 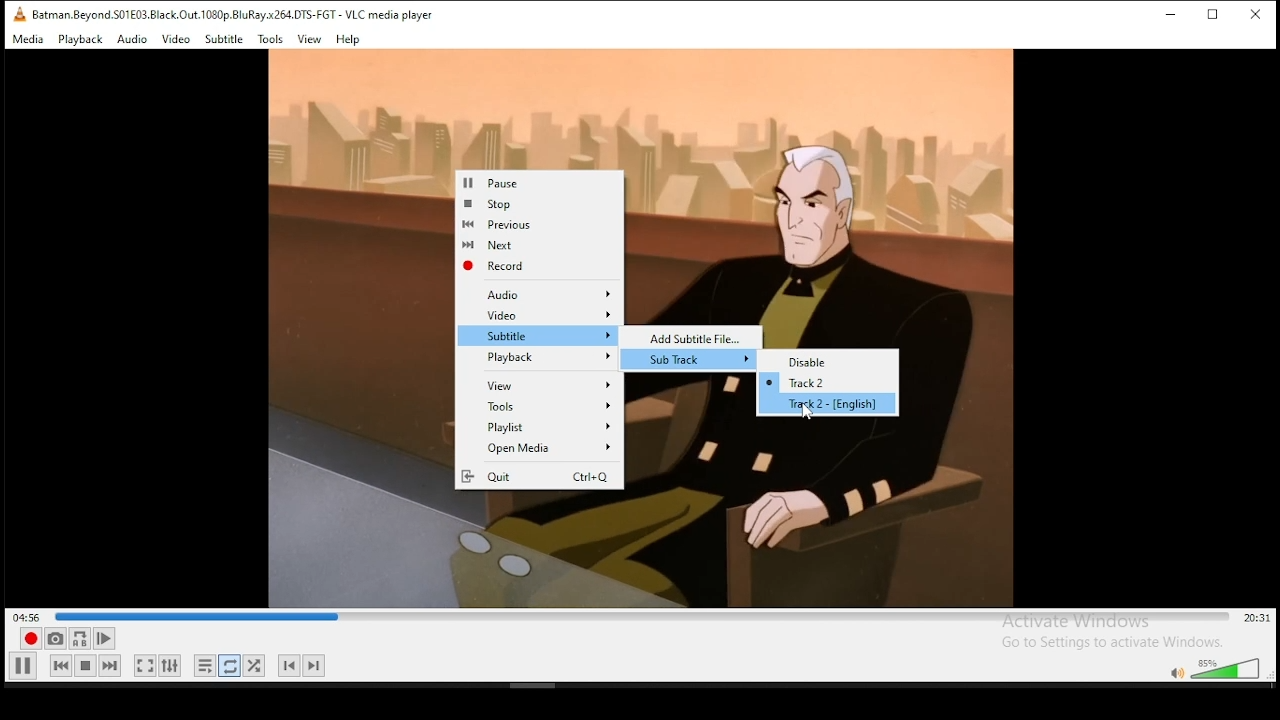 I want to click on fast forward, so click(x=111, y=667).